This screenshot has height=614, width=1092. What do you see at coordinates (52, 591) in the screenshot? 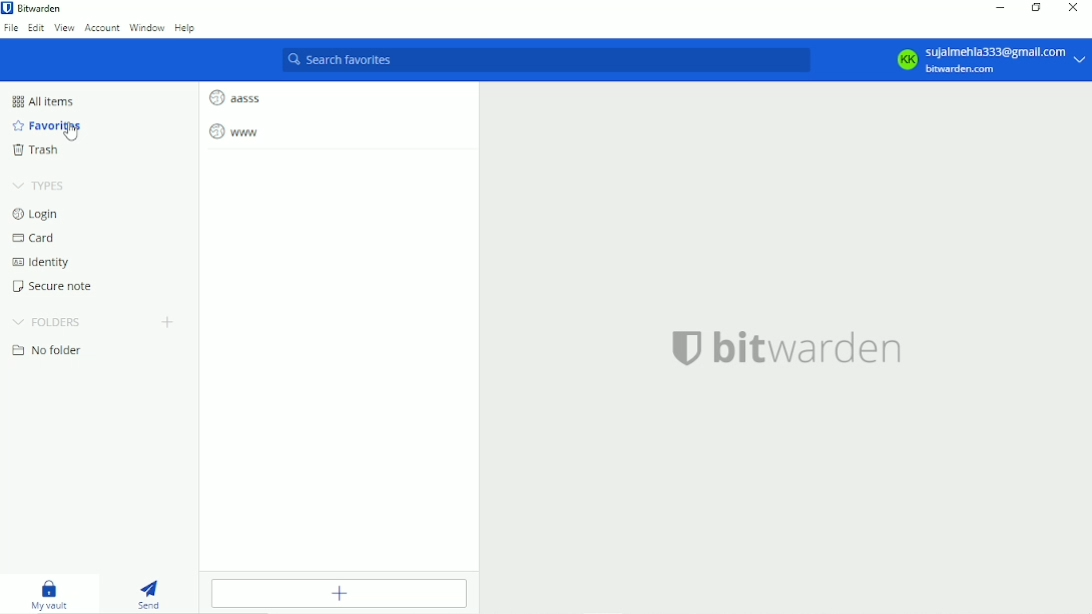
I see `My vault` at bounding box center [52, 591].